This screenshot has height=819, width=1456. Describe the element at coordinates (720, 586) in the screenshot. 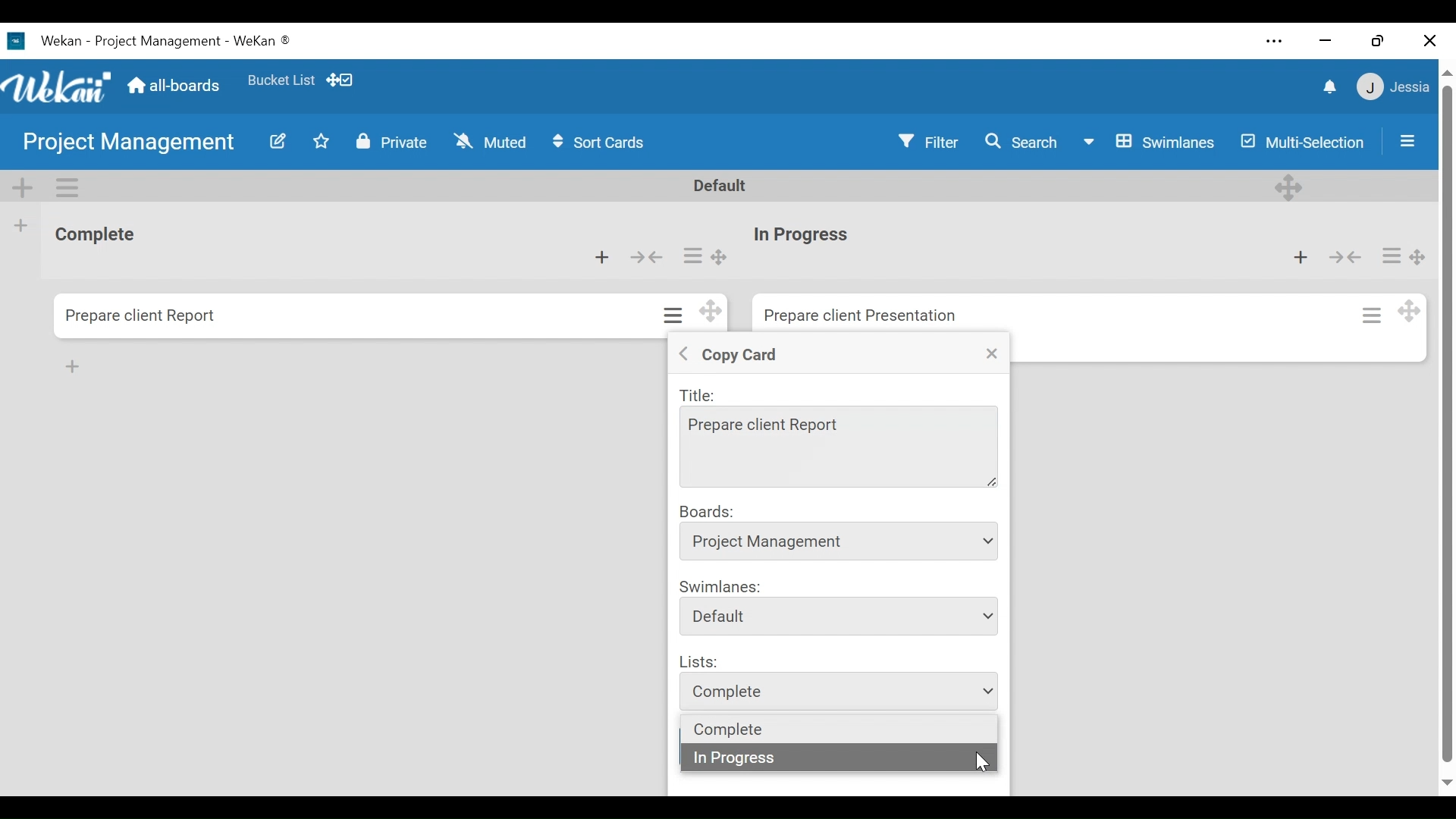

I see `Swimlanes` at that location.